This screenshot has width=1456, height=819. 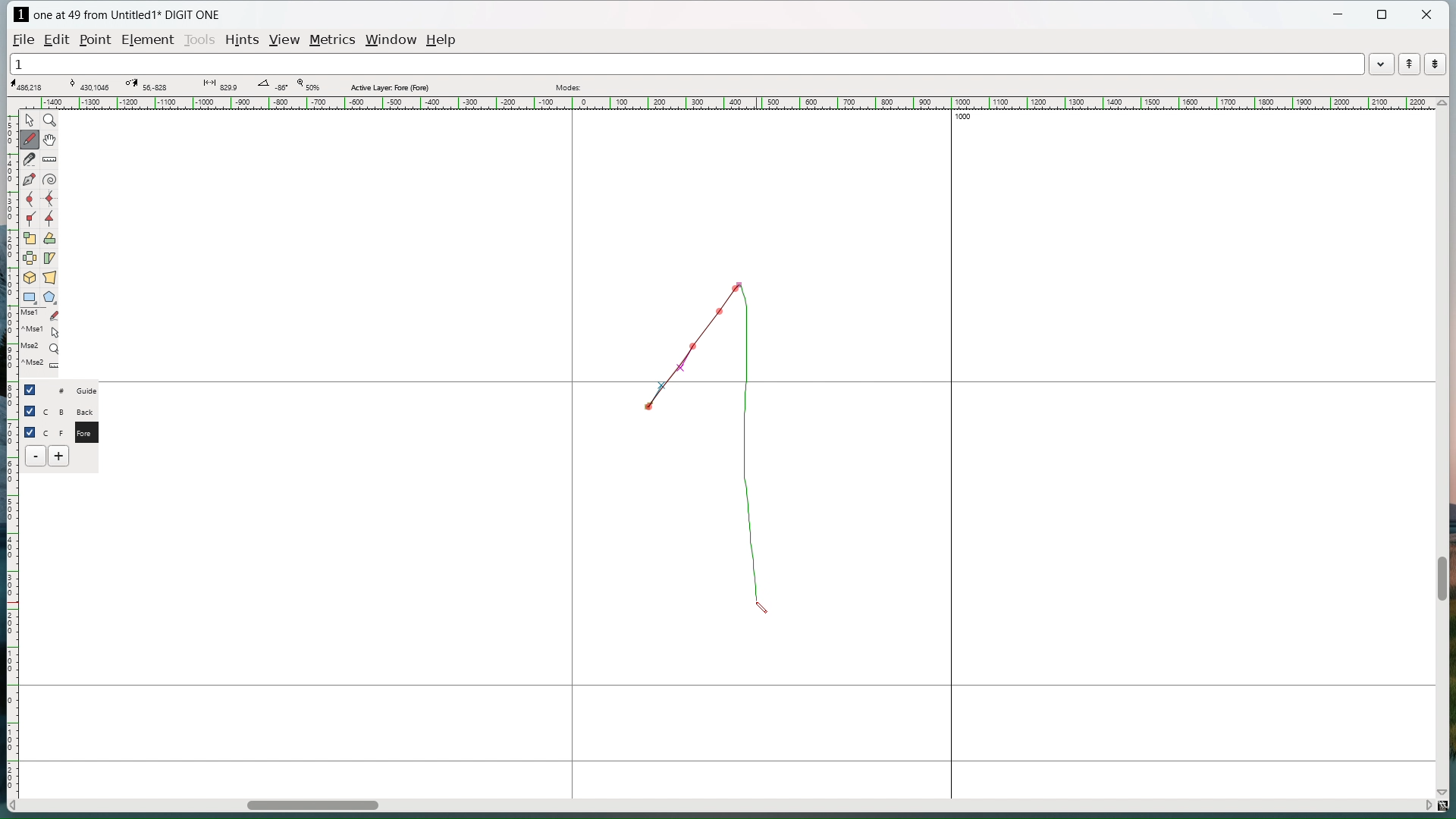 What do you see at coordinates (50, 180) in the screenshot?
I see `toggle spiral` at bounding box center [50, 180].